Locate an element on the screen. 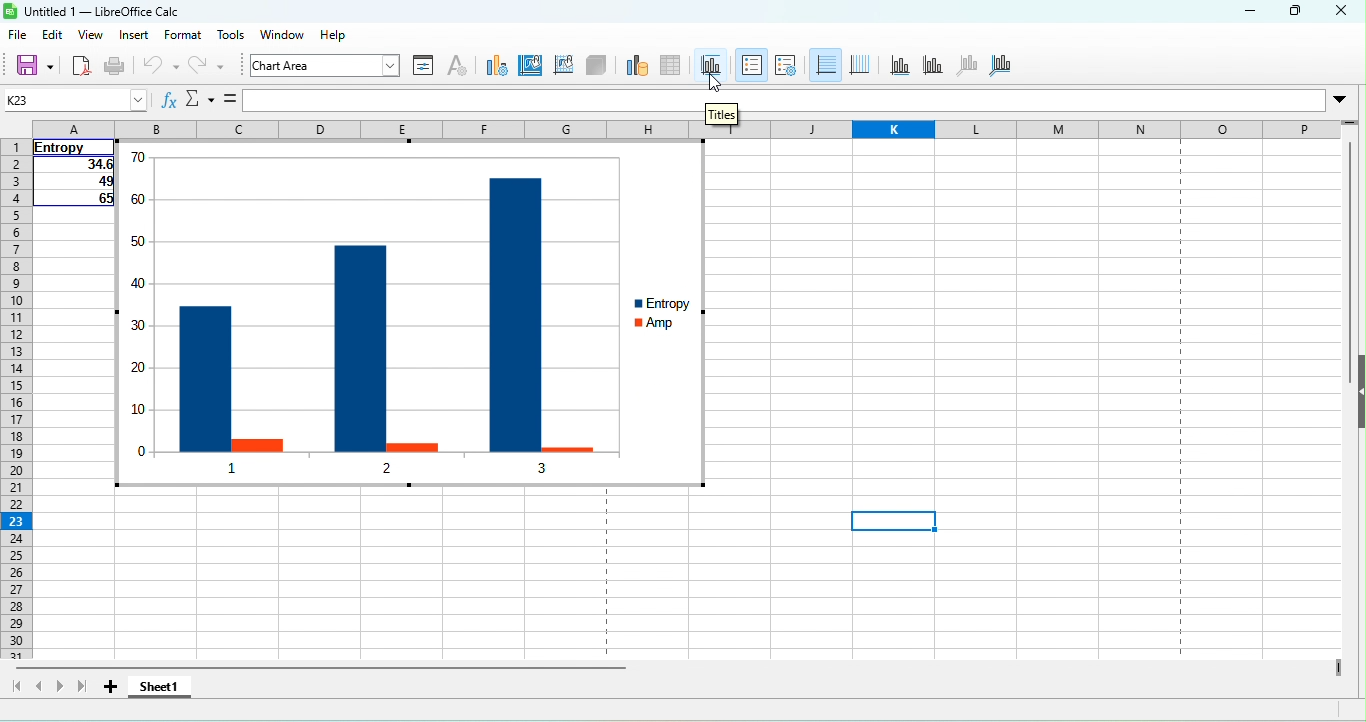  amp 3 is located at coordinates (568, 444).